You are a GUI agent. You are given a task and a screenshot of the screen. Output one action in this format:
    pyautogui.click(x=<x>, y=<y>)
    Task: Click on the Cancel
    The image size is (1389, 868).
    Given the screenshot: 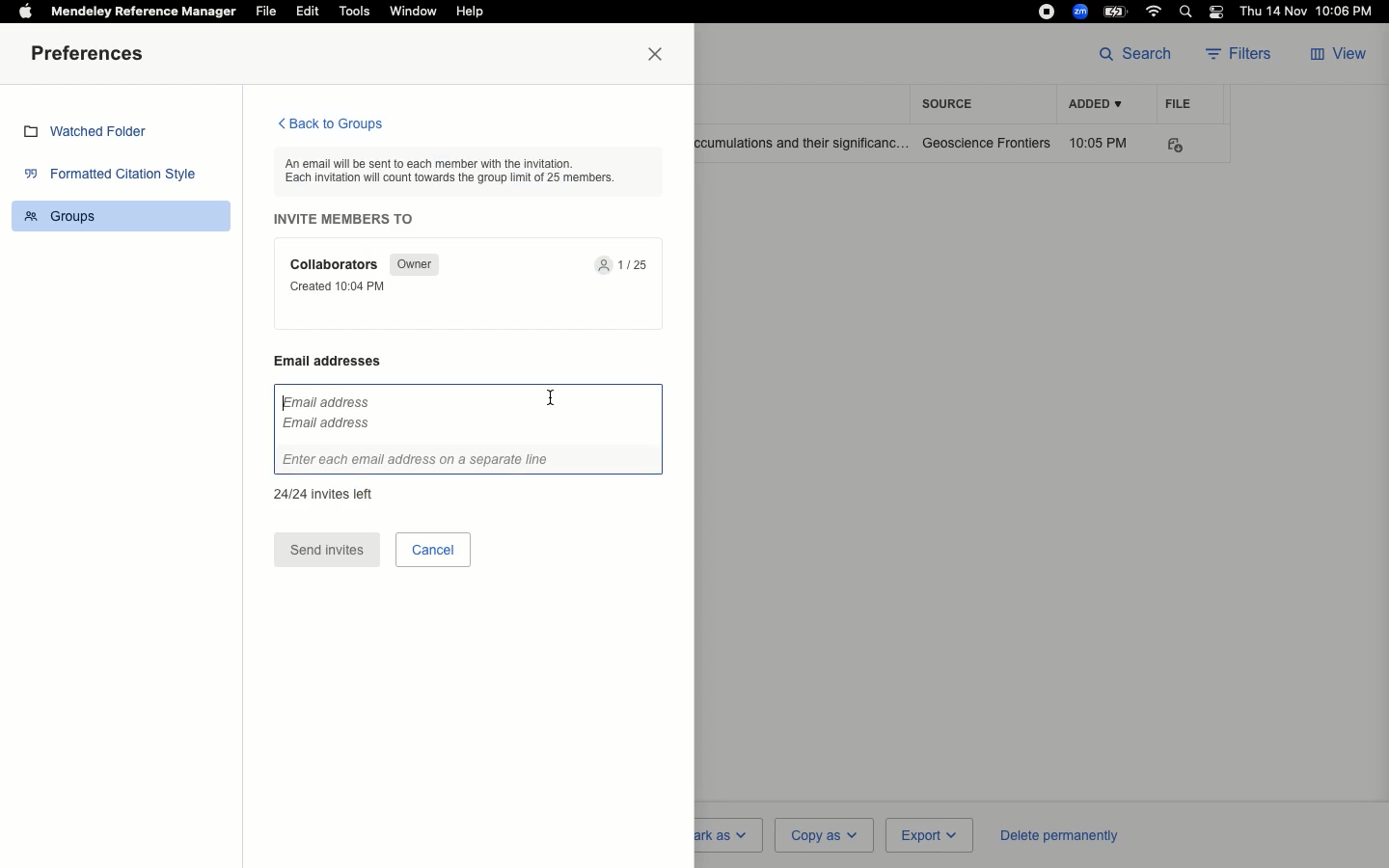 What is the action you would take?
    pyautogui.click(x=433, y=549)
    